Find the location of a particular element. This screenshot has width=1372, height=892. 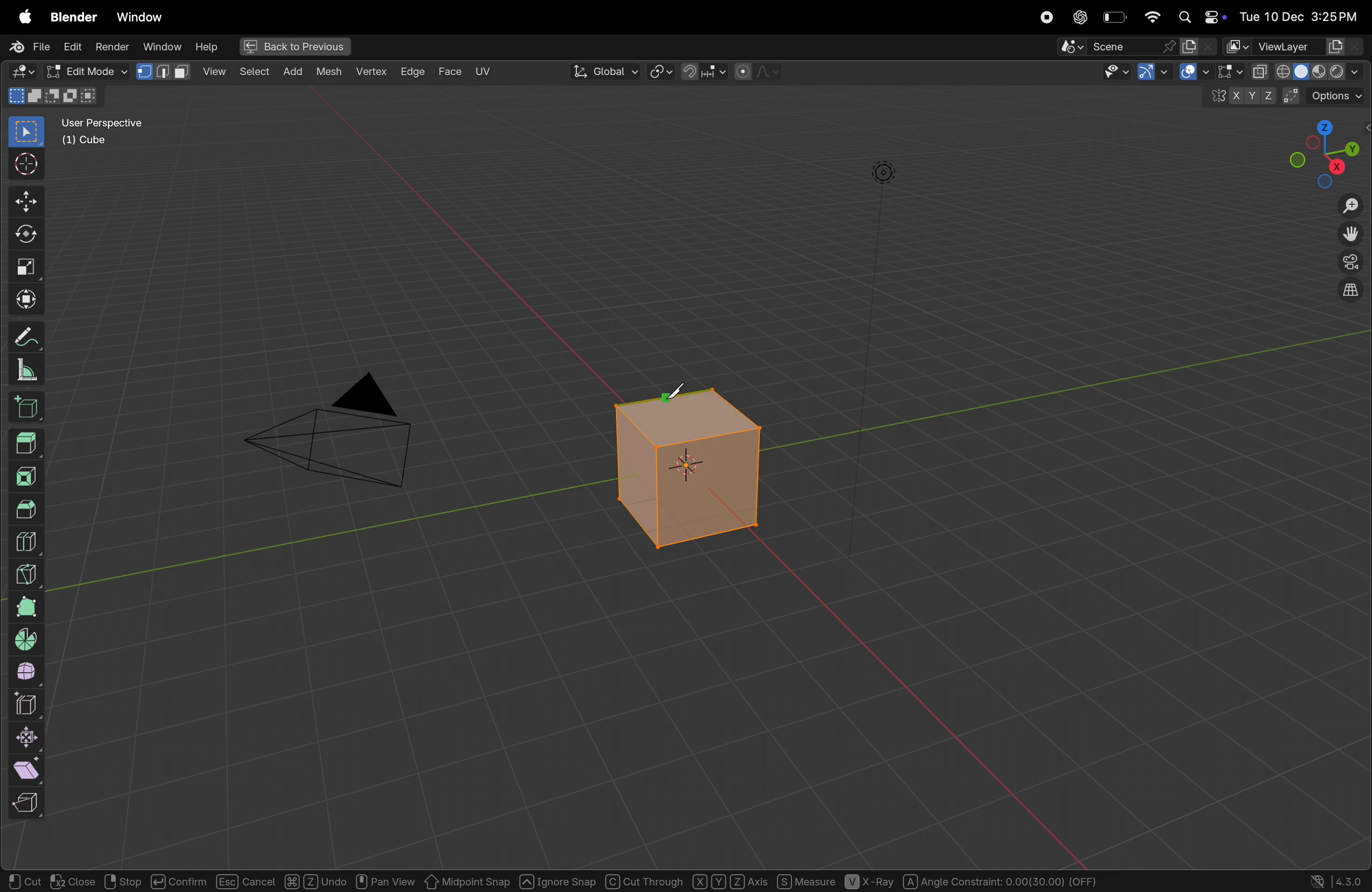

3 d cube is located at coordinates (691, 468).